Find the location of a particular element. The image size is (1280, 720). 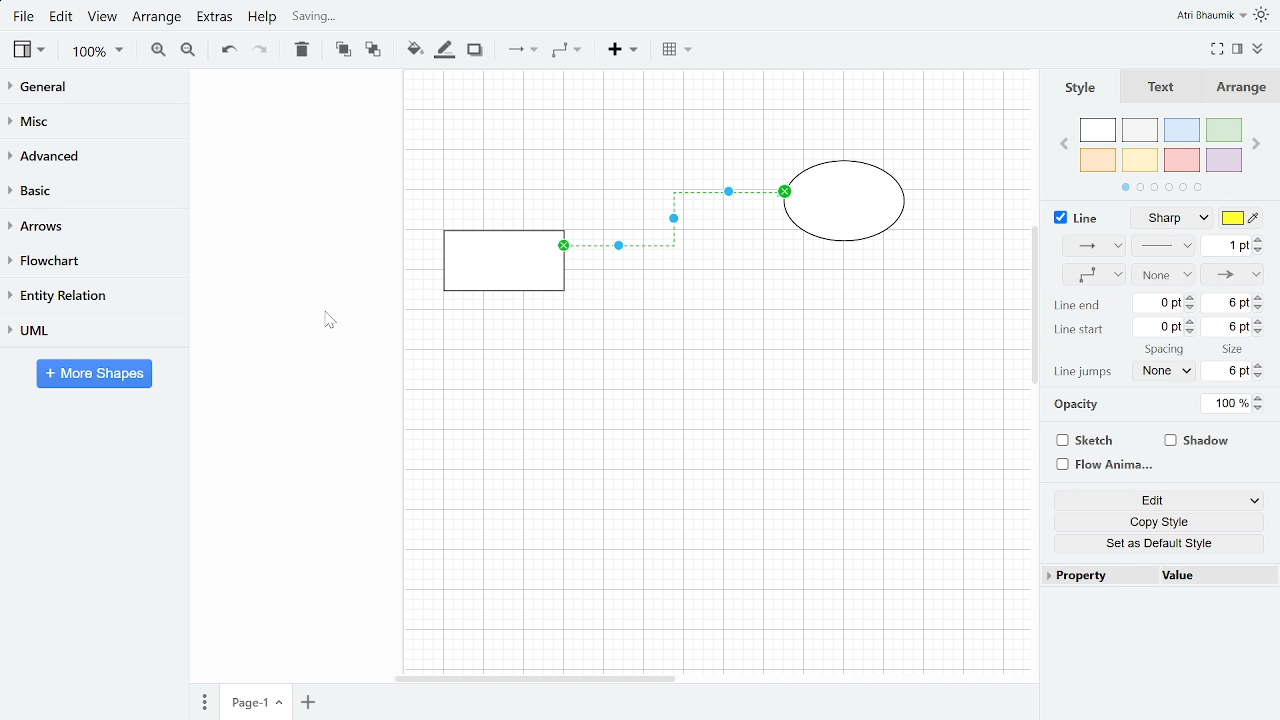

Increase opacity is located at coordinates (1260, 399).